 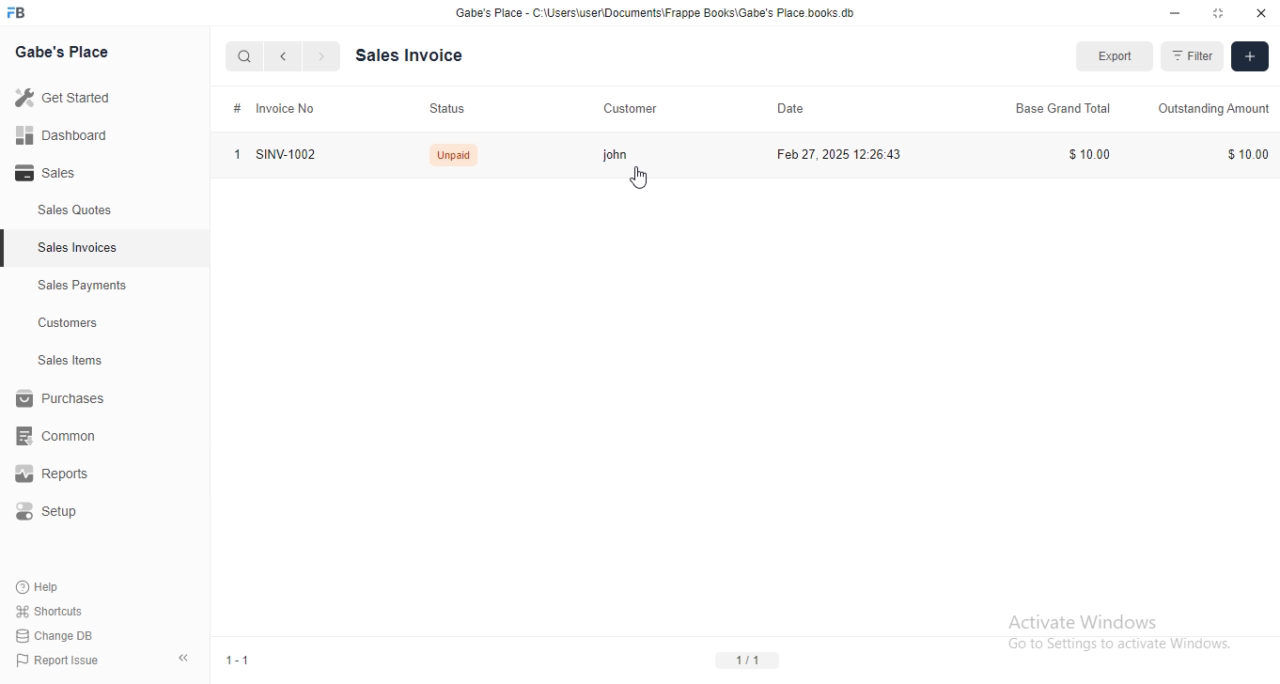 I want to click on 1, so click(x=238, y=154).